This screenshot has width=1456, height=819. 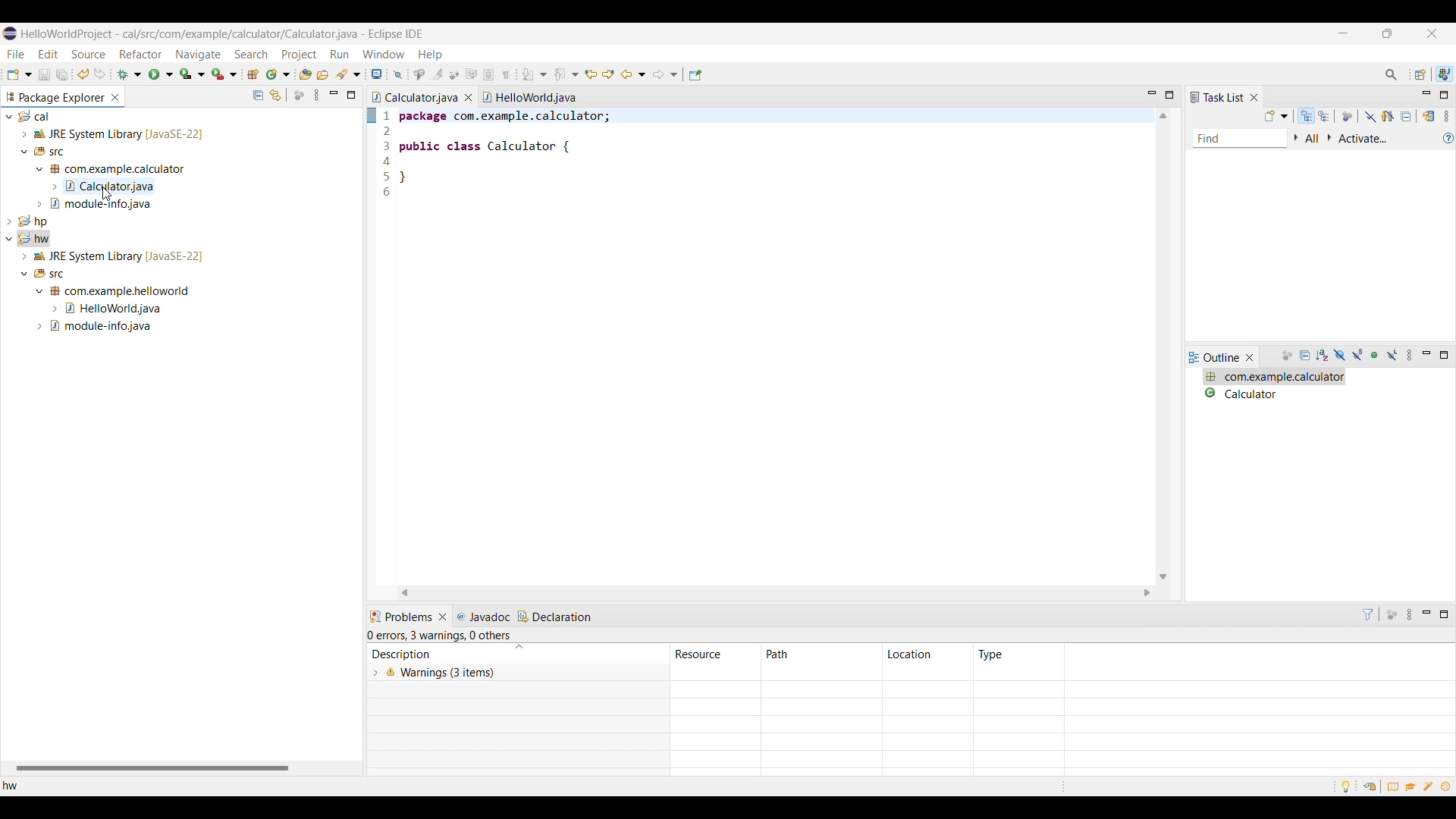 What do you see at coordinates (1274, 377) in the screenshot?
I see `com.example.calculator` at bounding box center [1274, 377].